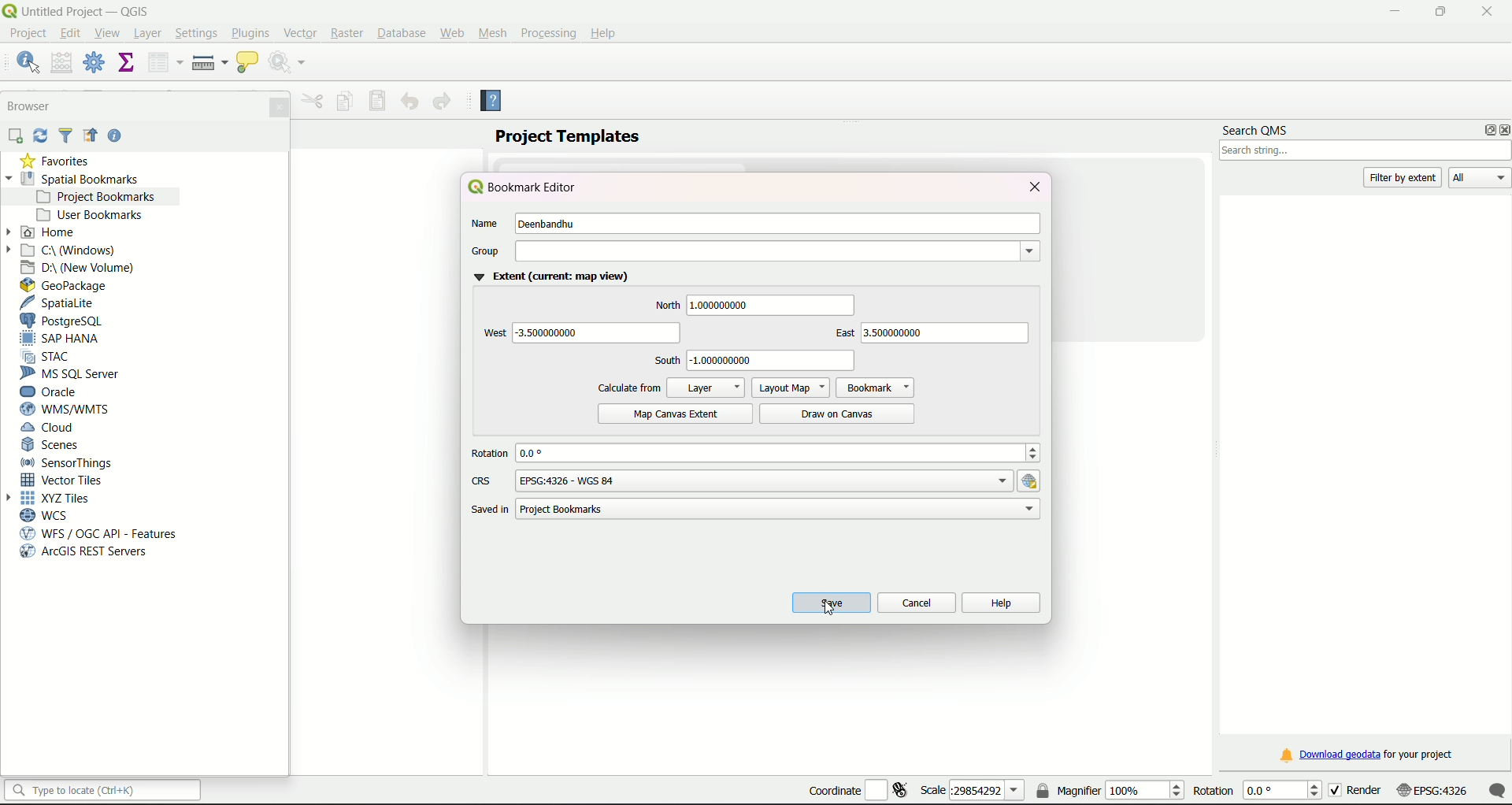  Describe the element at coordinates (1033, 480) in the screenshot. I see `hyperlink` at that location.